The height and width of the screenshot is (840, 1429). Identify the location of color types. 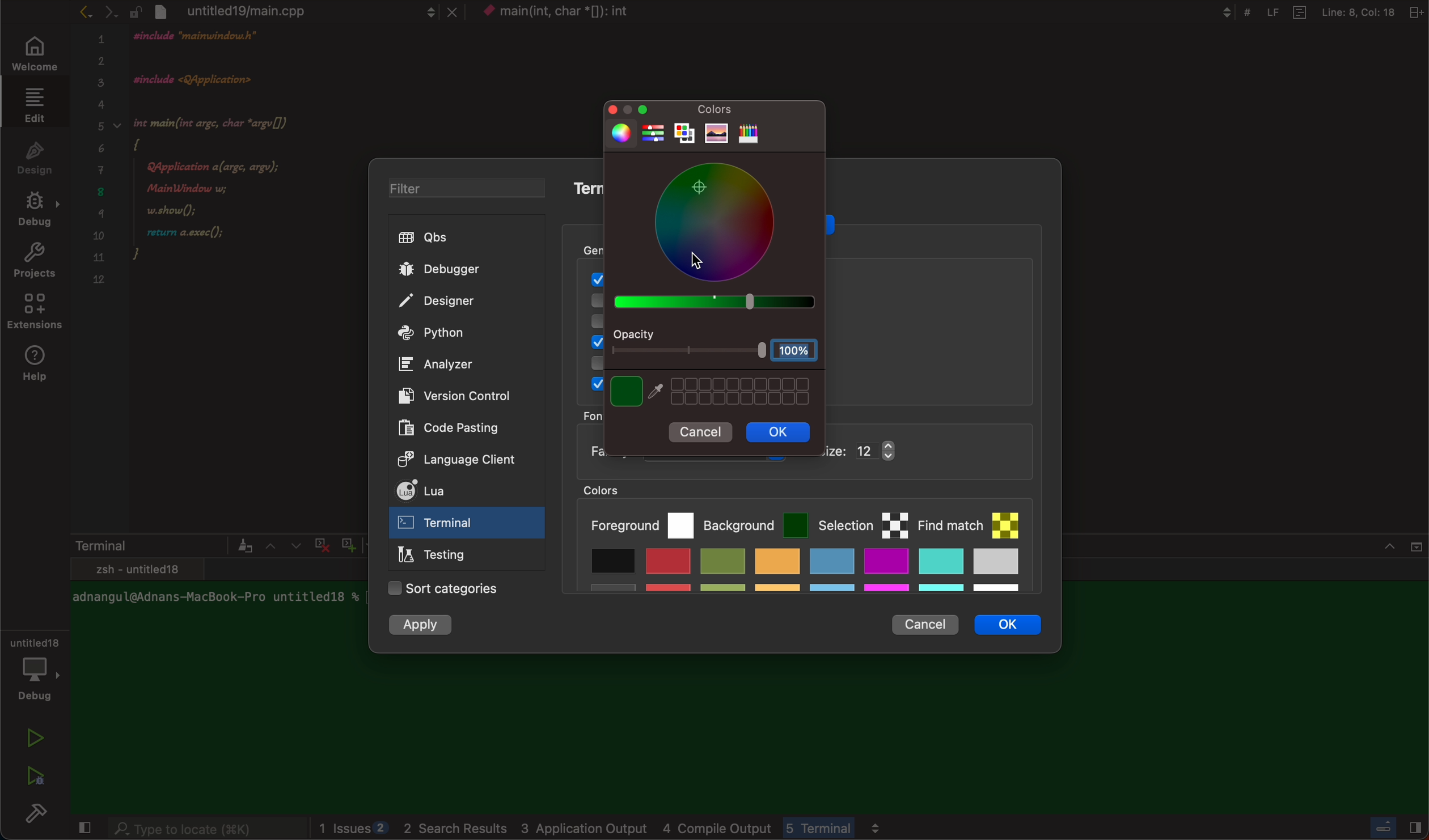
(700, 132).